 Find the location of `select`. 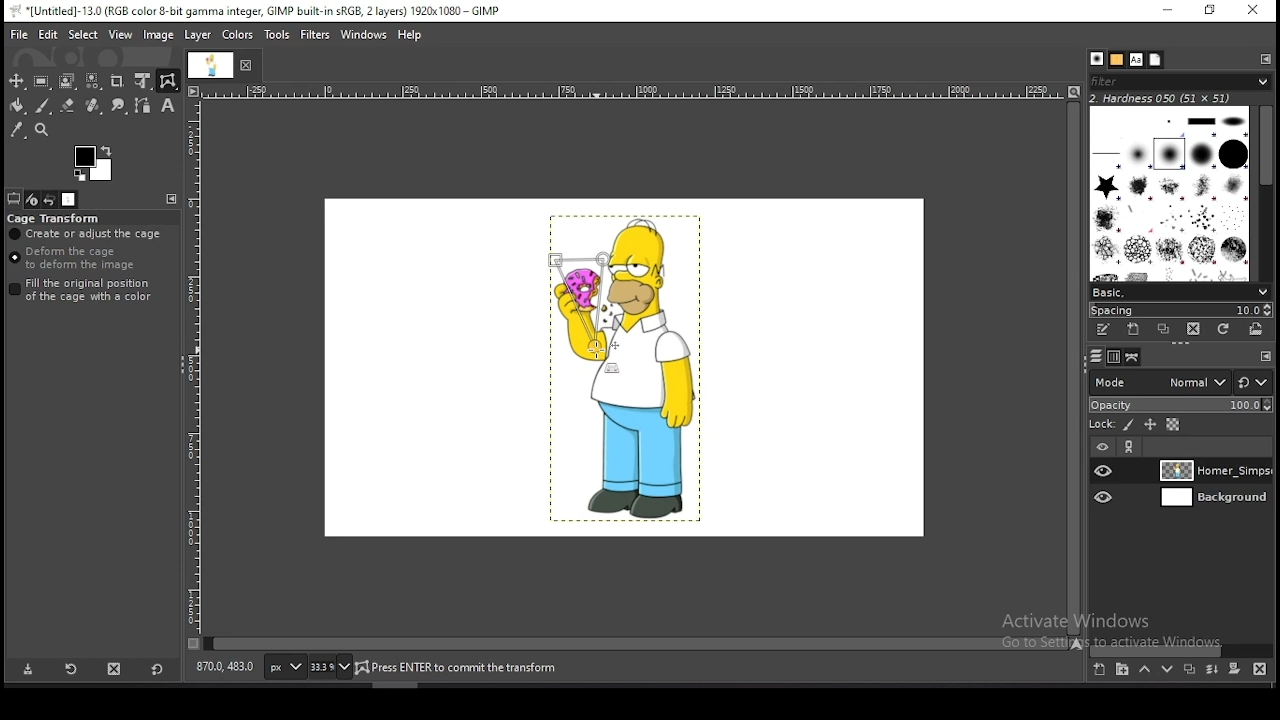

select is located at coordinates (83, 34).